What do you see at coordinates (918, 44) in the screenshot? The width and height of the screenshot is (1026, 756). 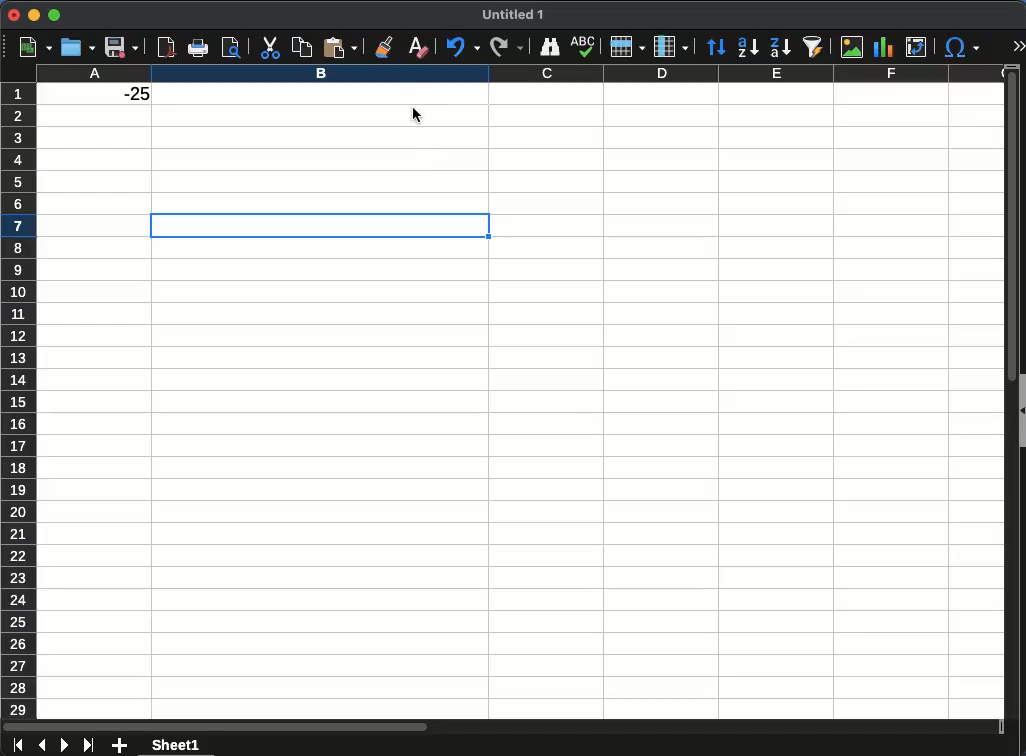 I see `pivot character` at bounding box center [918, 44].